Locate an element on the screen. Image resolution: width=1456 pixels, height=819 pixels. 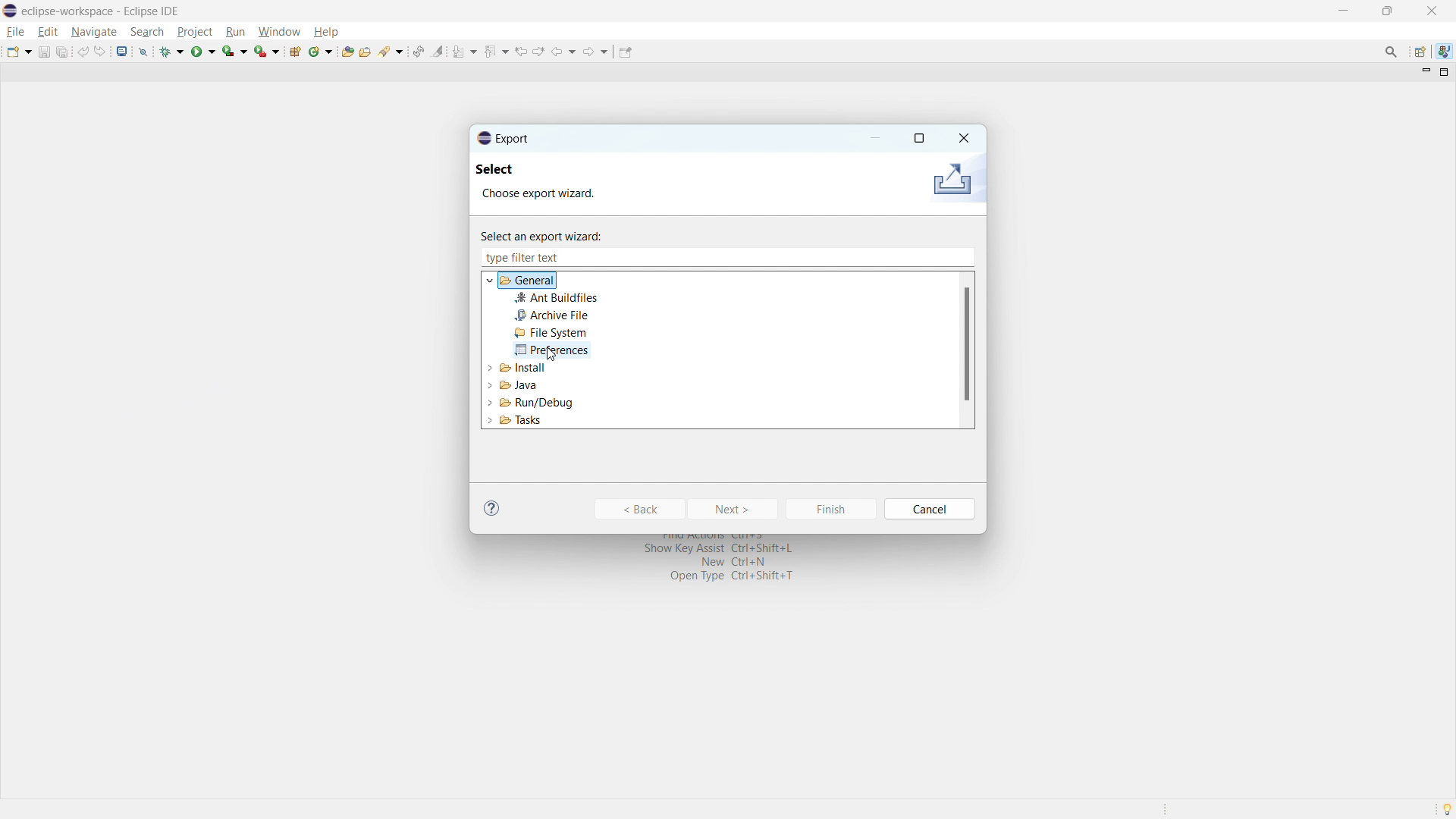
run is located at coordinates (203, 52).